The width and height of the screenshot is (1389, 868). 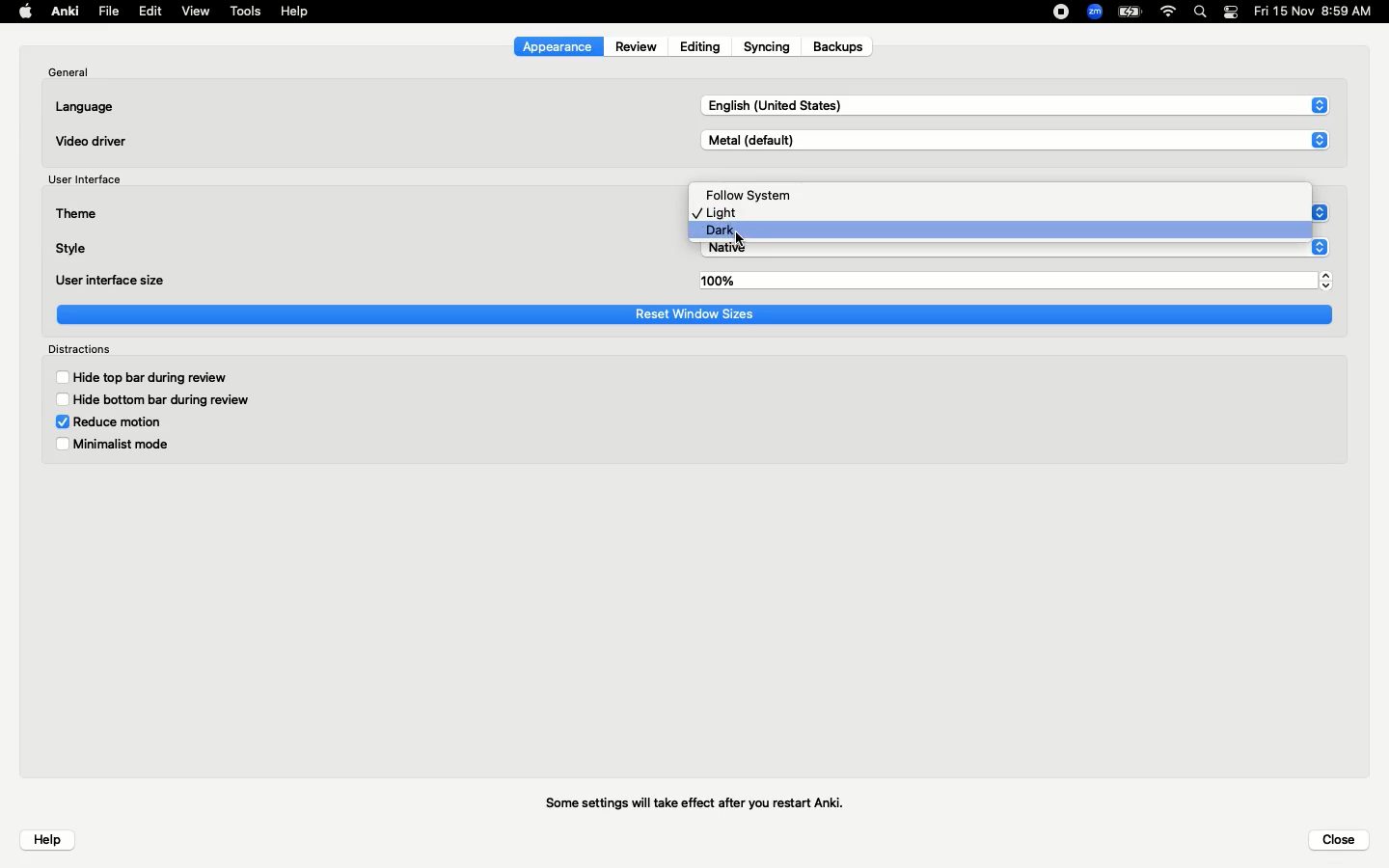 What do you see at coordinates (112, 281) in the screenshot?
I see `User interface size` at bounding box center [112, 281].